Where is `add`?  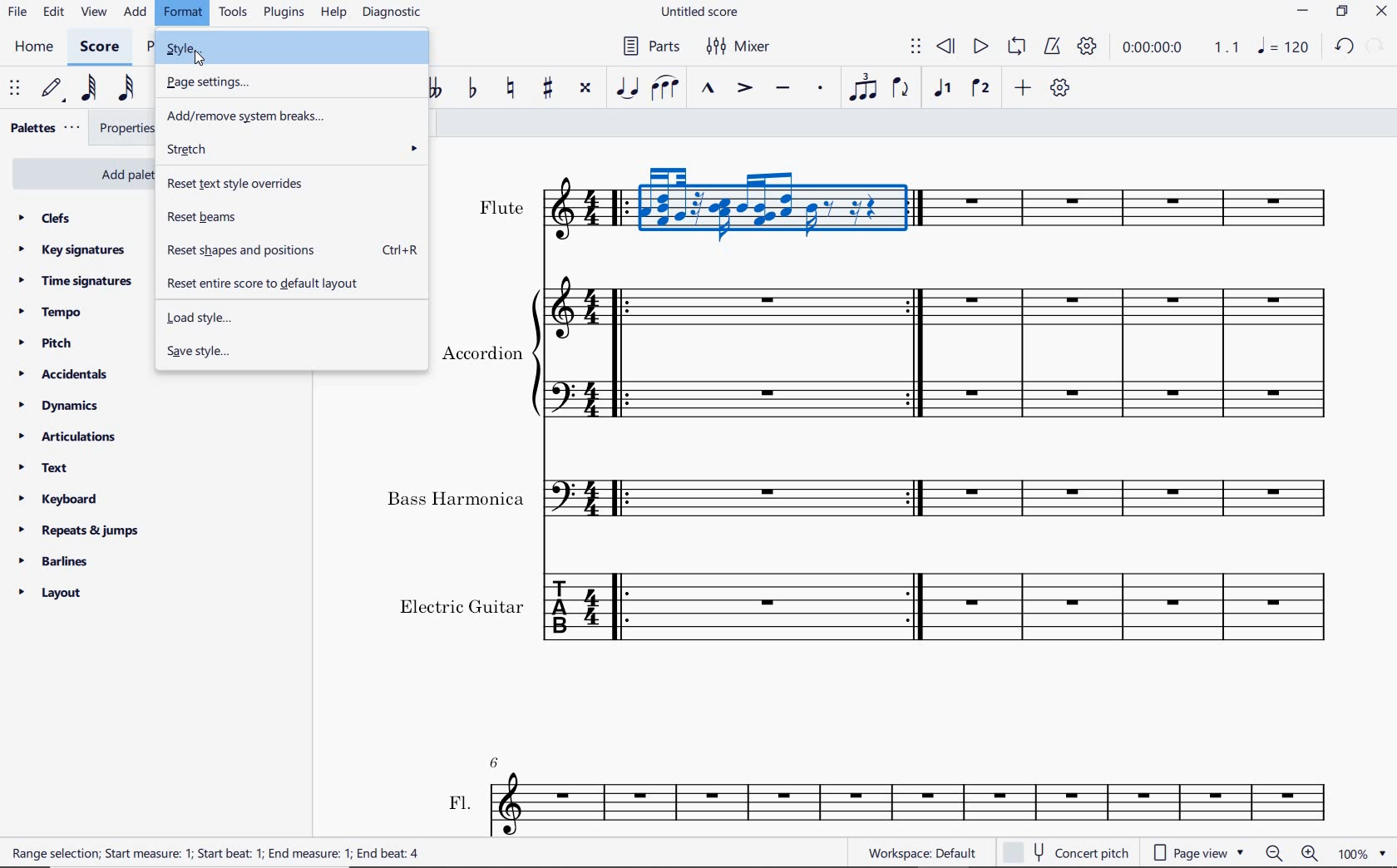
add is located at coordinates (136, 13).